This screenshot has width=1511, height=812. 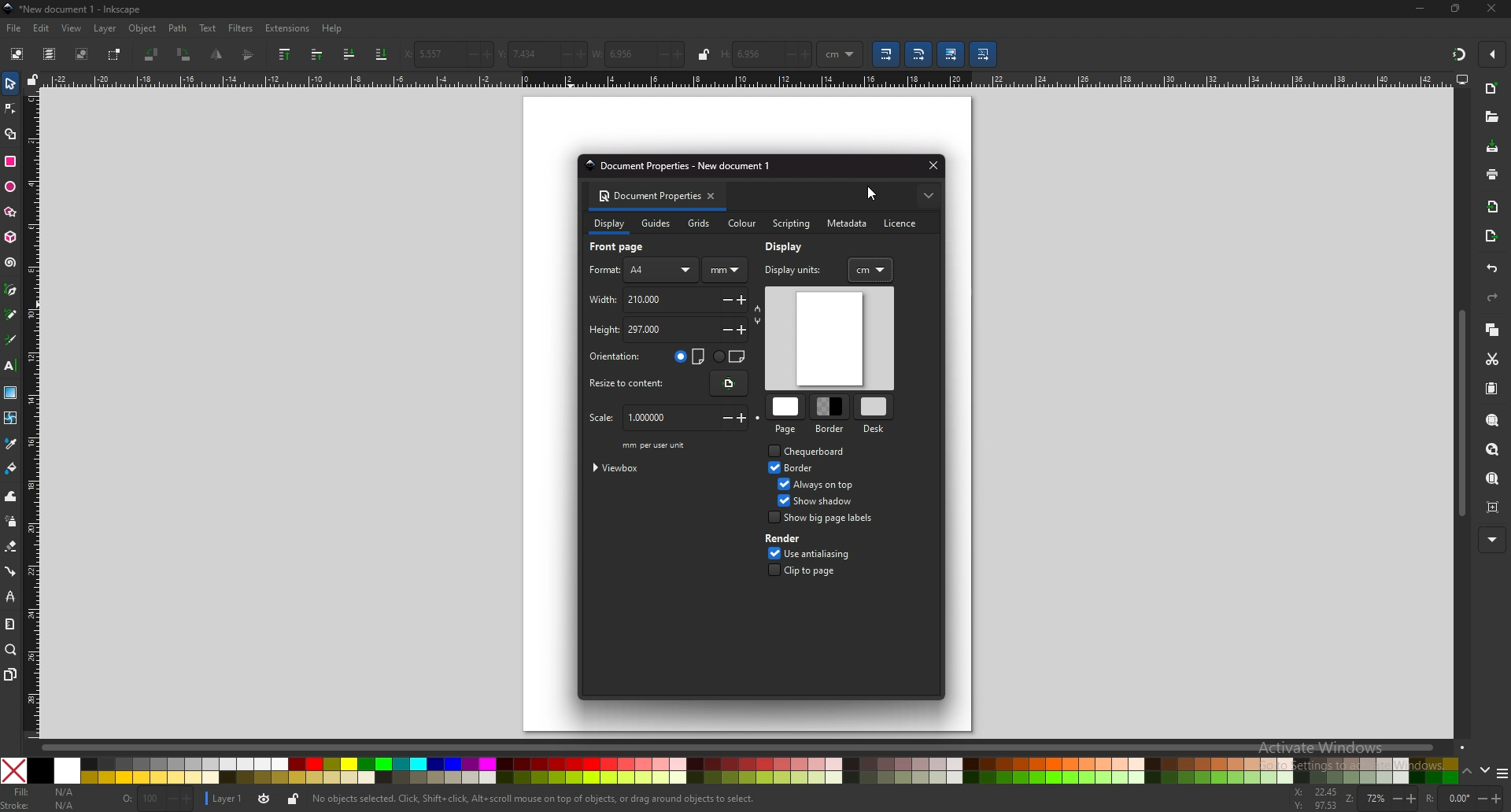 What do you see at coordinates (722, 419) in the screenshot?
I see `-` at bounding box center [722, 419].